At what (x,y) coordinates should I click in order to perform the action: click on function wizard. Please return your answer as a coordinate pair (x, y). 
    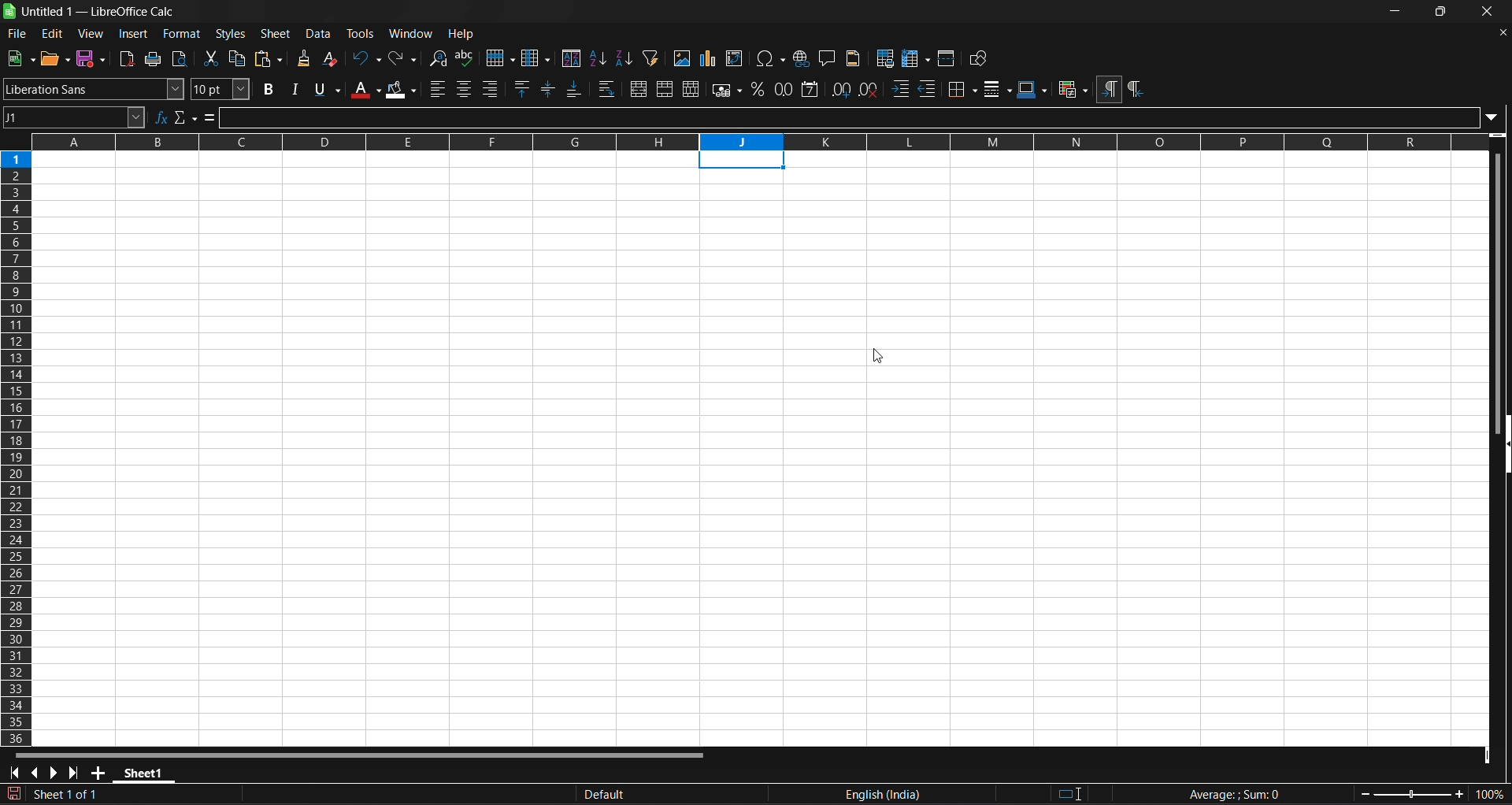
    Looking at the image, I should click on (160, 116).